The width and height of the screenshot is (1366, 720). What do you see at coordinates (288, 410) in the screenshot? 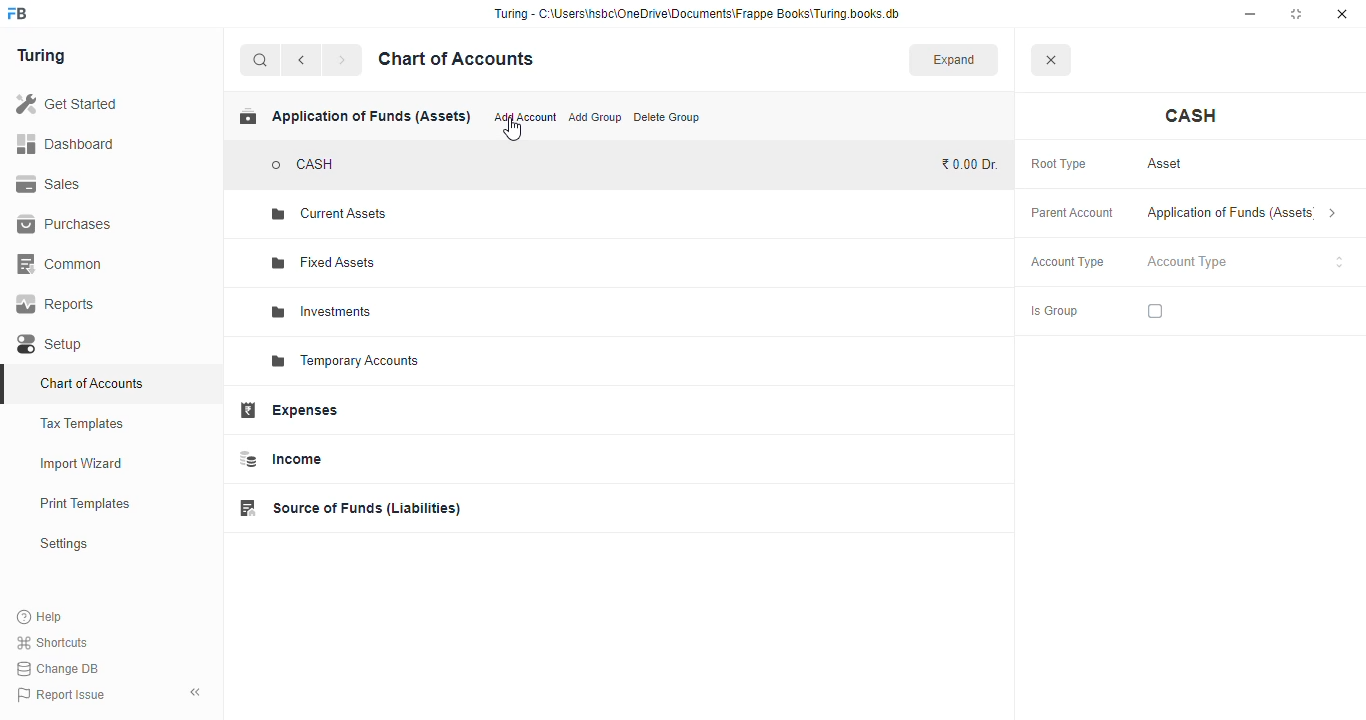
I see `expenses` at bounding box center [288, 410].